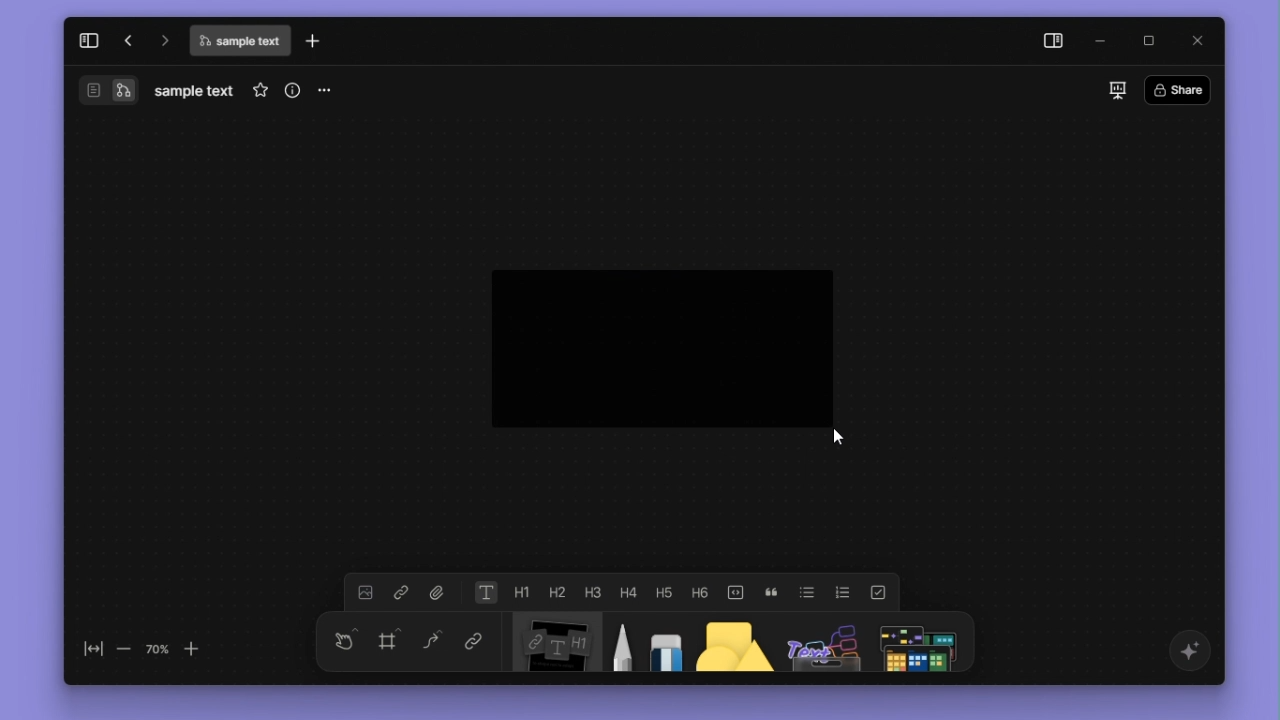  Describe the element at coordinates (659, 346) in the screenshot. I see `Notes (text box) being drawn` at that location.